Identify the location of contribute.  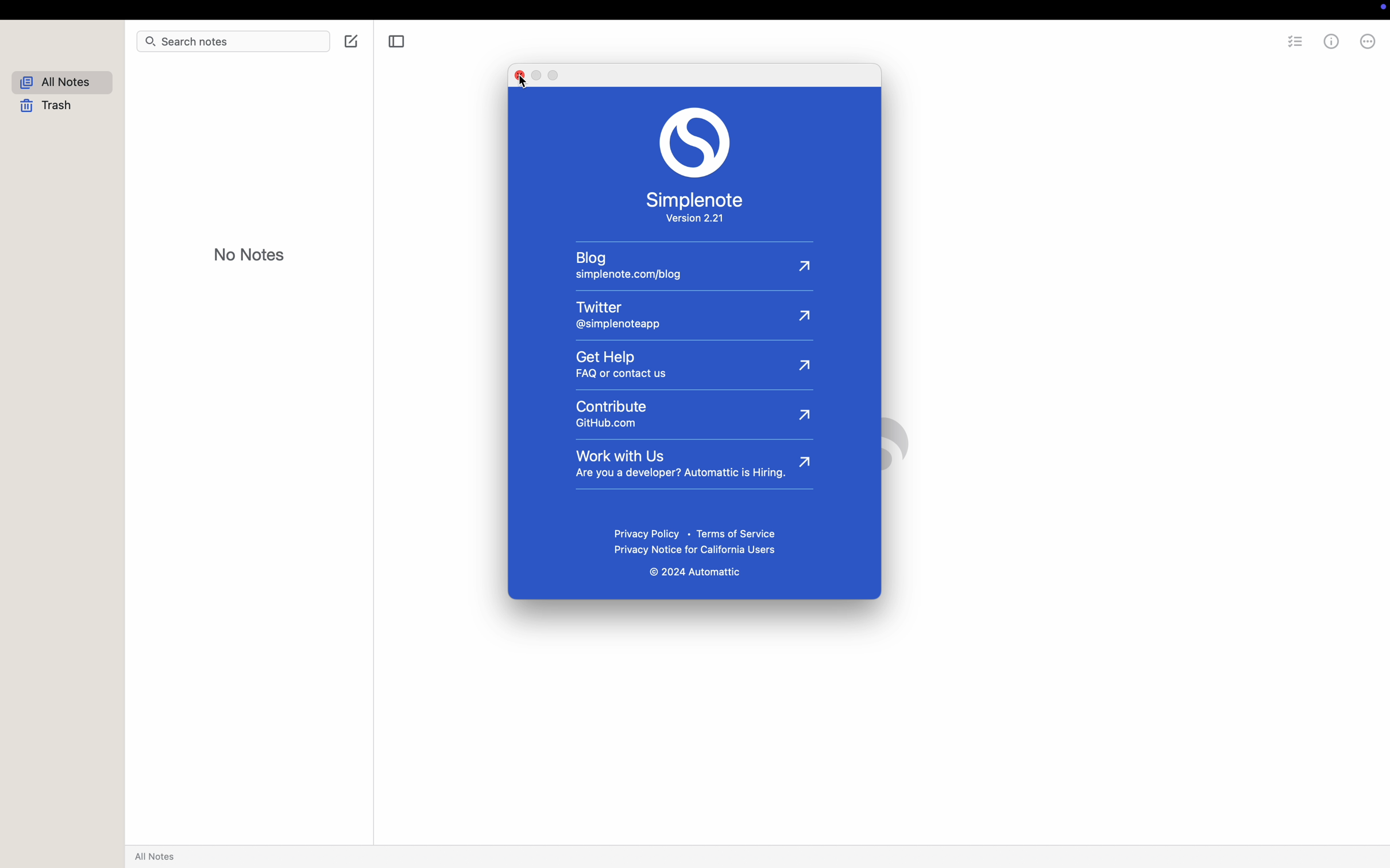
(693, 413).